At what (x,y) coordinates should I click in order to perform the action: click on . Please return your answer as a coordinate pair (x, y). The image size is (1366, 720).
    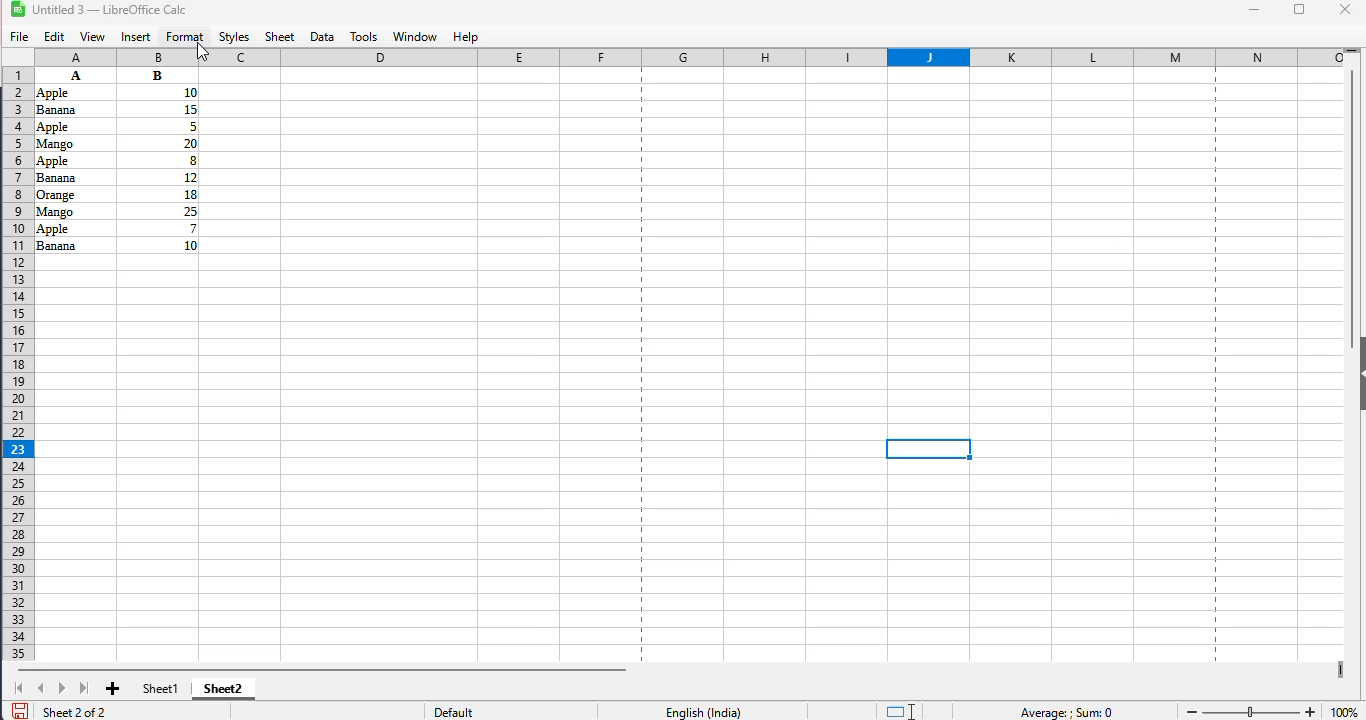
    Looking at the image, I should click on (76, 228).